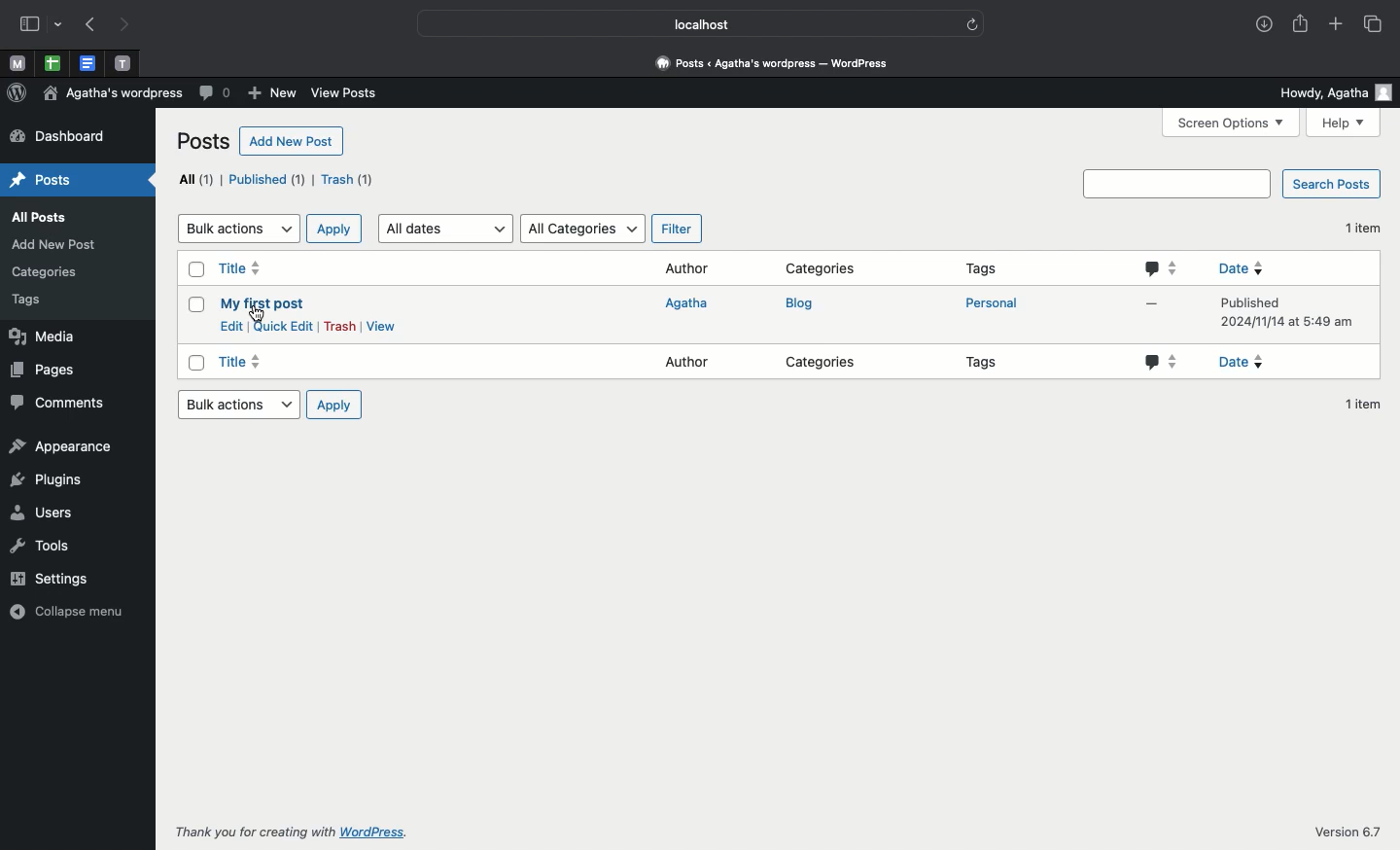  What do you see at coordinates (349, 180) in the screenshot?
I see `Trash` at bounding box center [349, 180].